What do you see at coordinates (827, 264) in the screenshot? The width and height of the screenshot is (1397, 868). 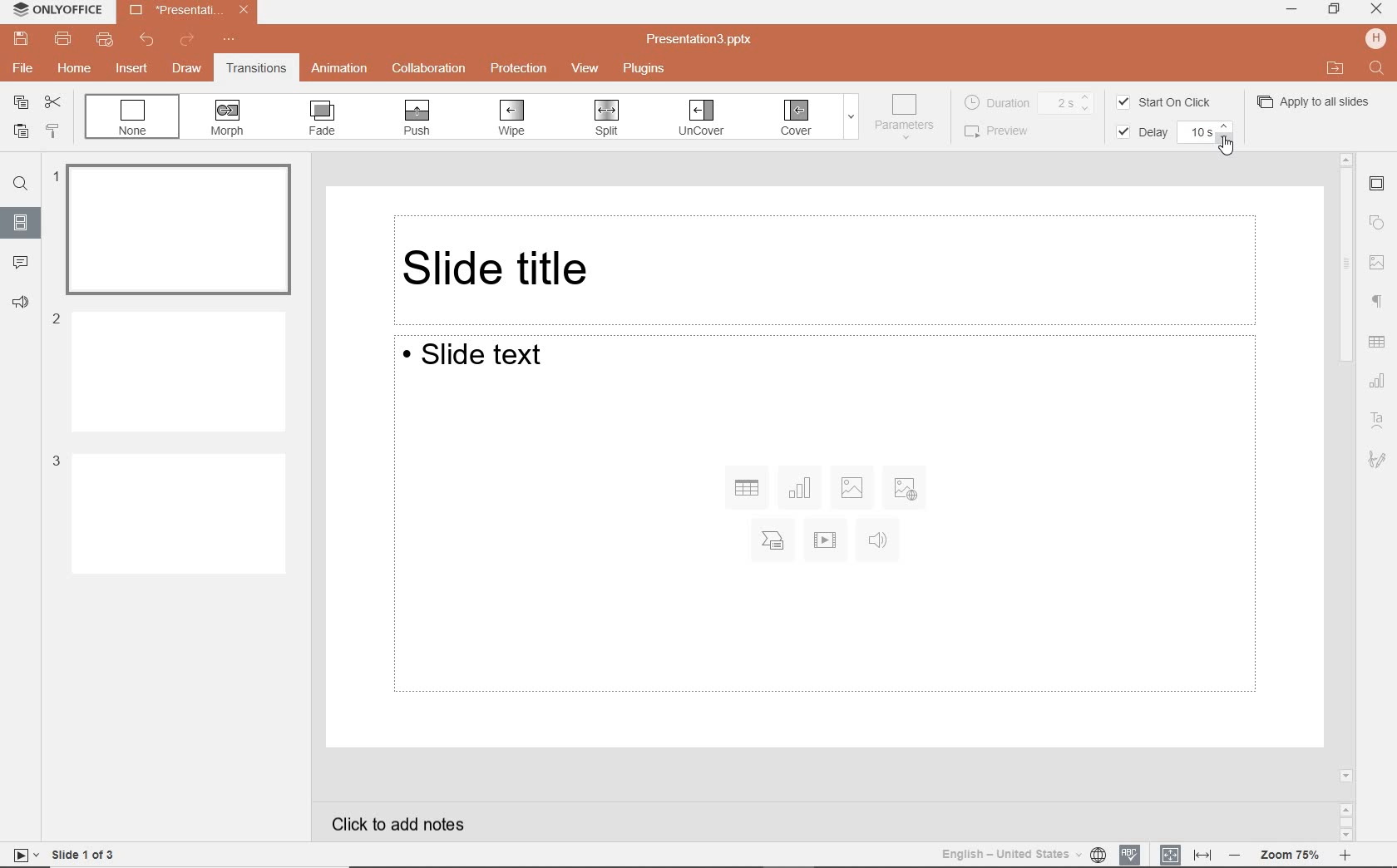 I see `Slide title` at bounding box center [827, 264].